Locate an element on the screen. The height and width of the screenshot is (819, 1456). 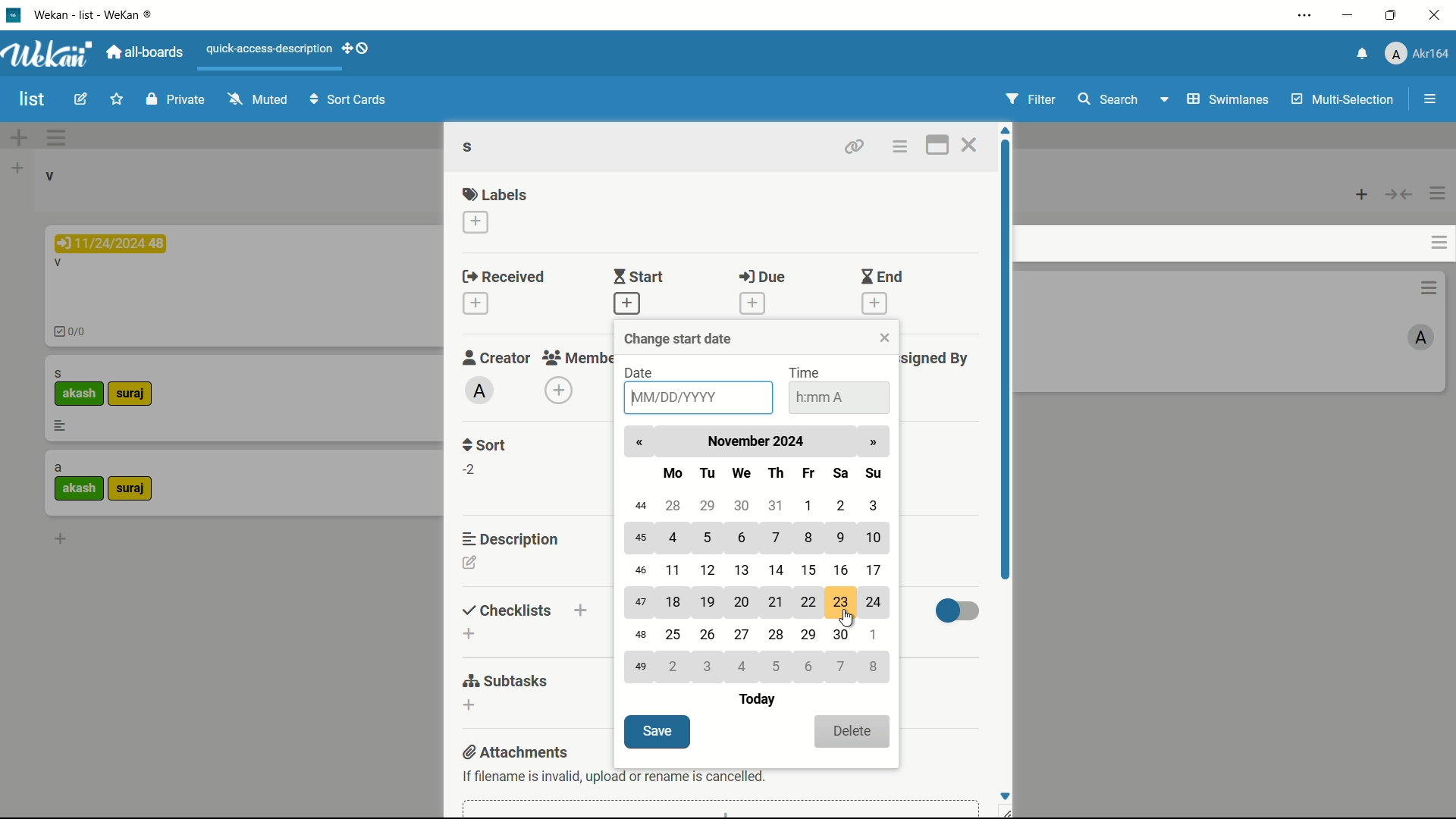
previous is located at coordinates (643, 443).